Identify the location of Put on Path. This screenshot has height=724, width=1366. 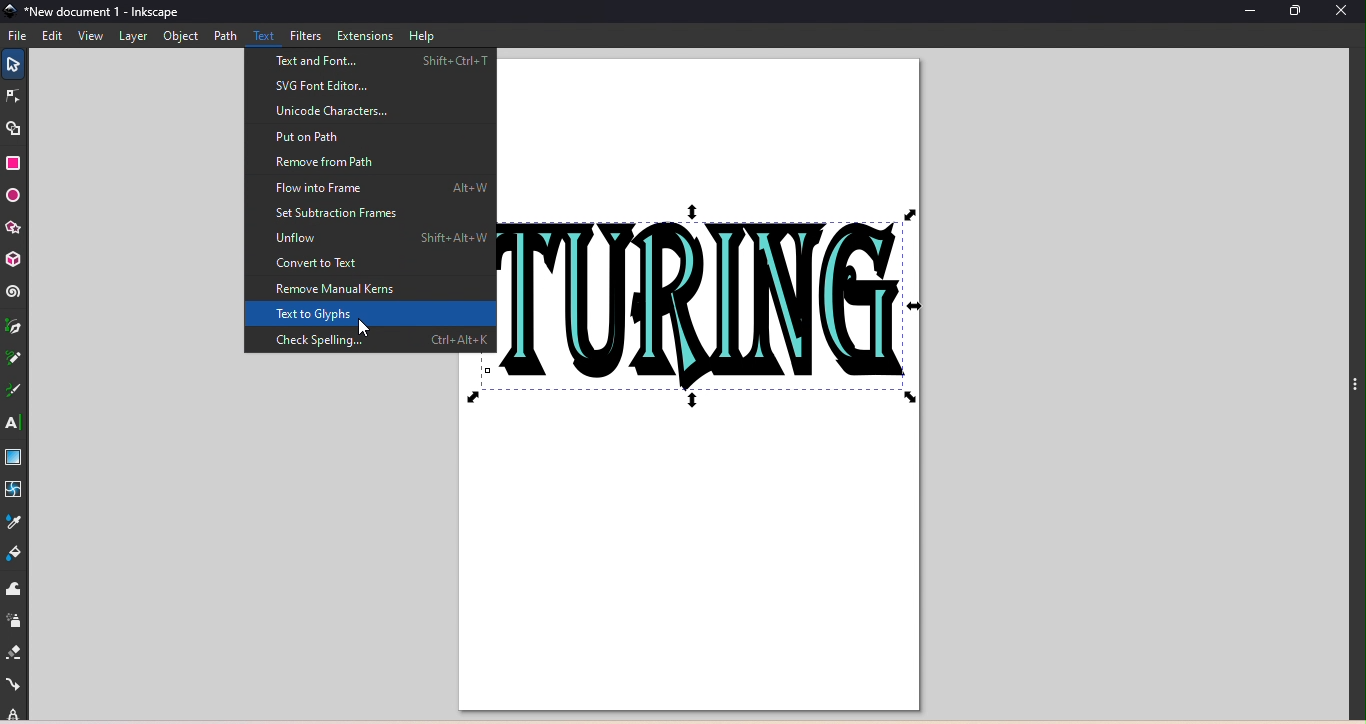
(373, 137).